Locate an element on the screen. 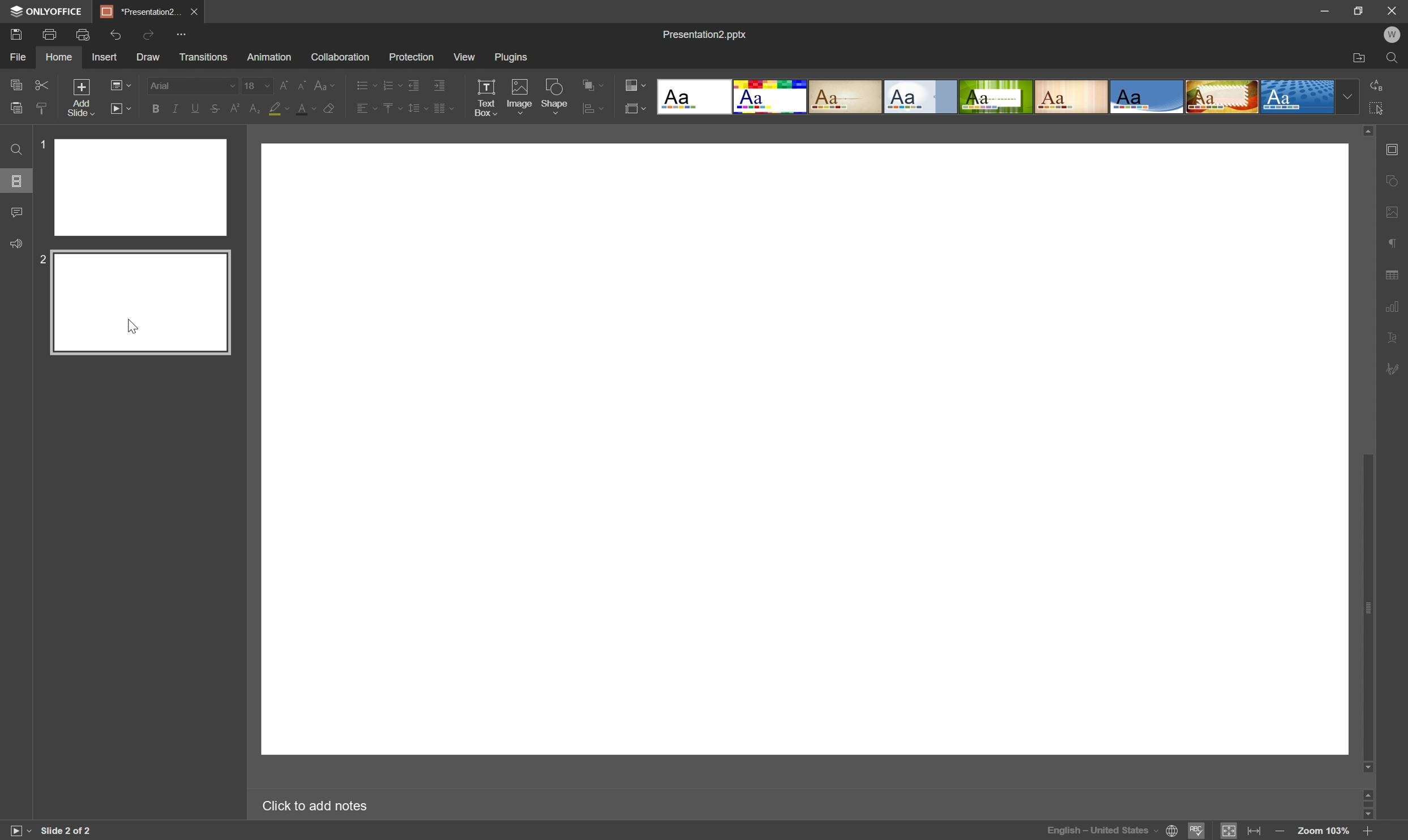  Paragraph settings is located at coordinates (1393, 241).